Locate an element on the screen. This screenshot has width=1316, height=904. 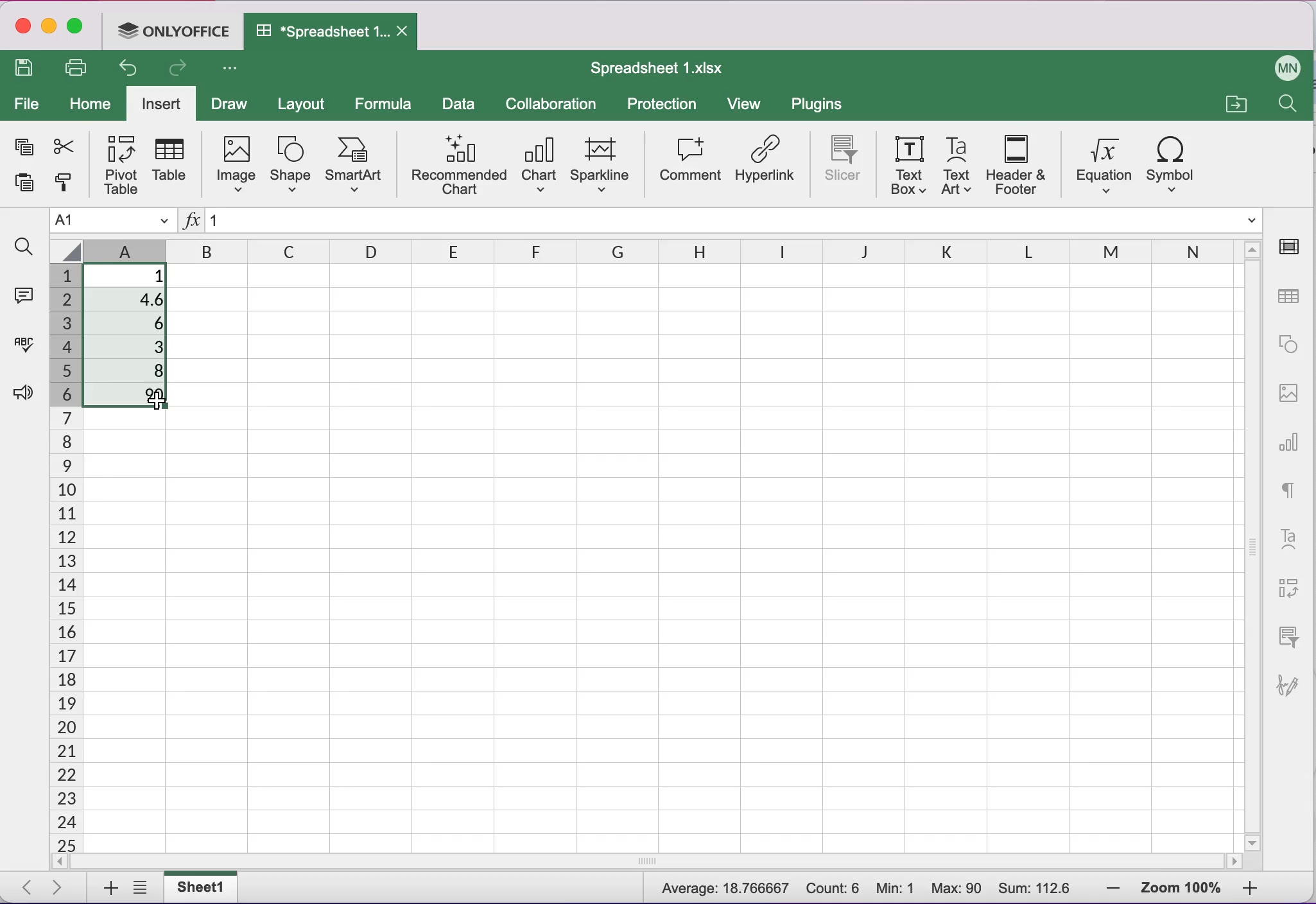
chart is located at coordinates (1290, 447).